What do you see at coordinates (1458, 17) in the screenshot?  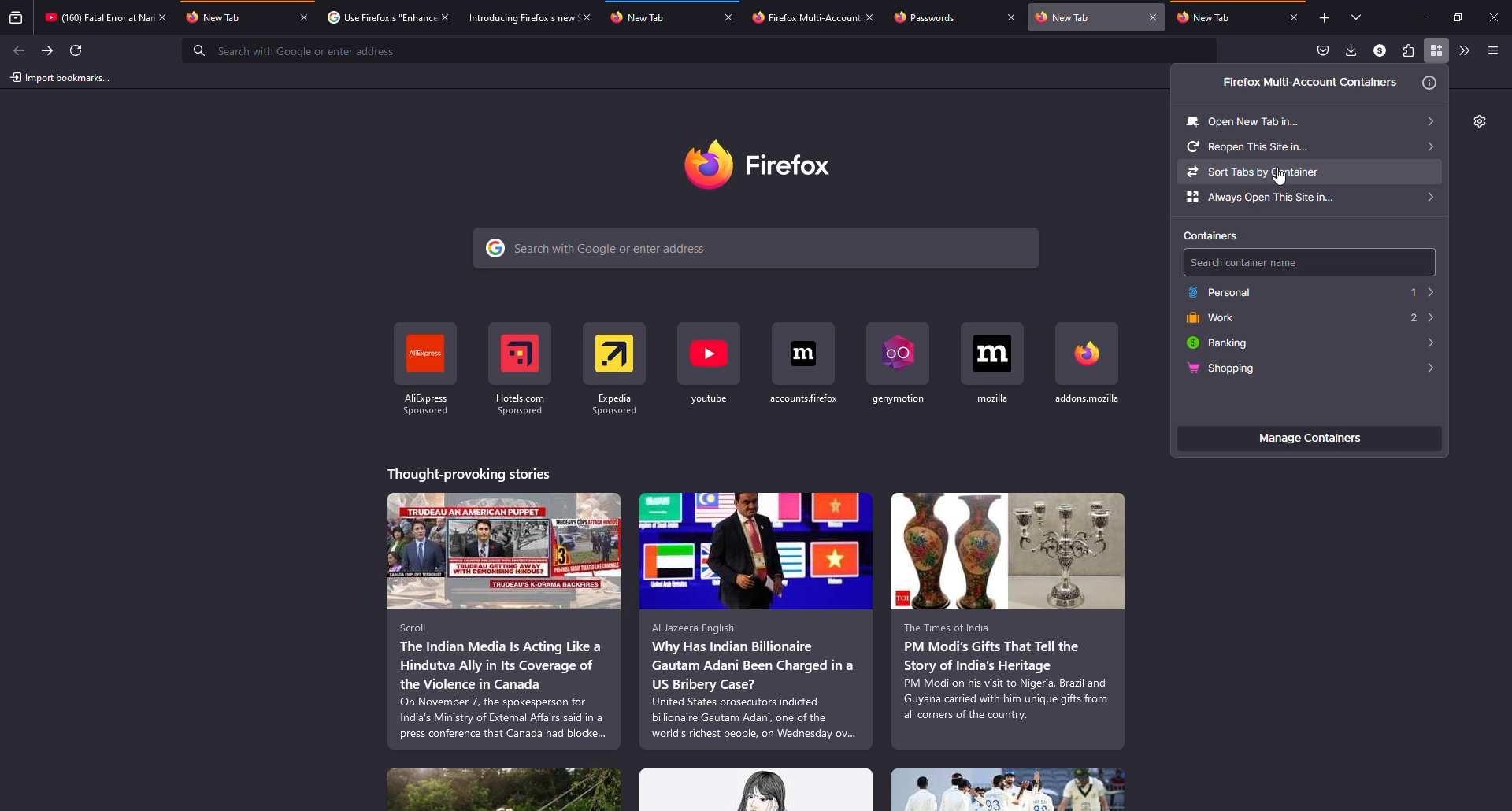 I see `maximize` at bounding box center [1458, 17].